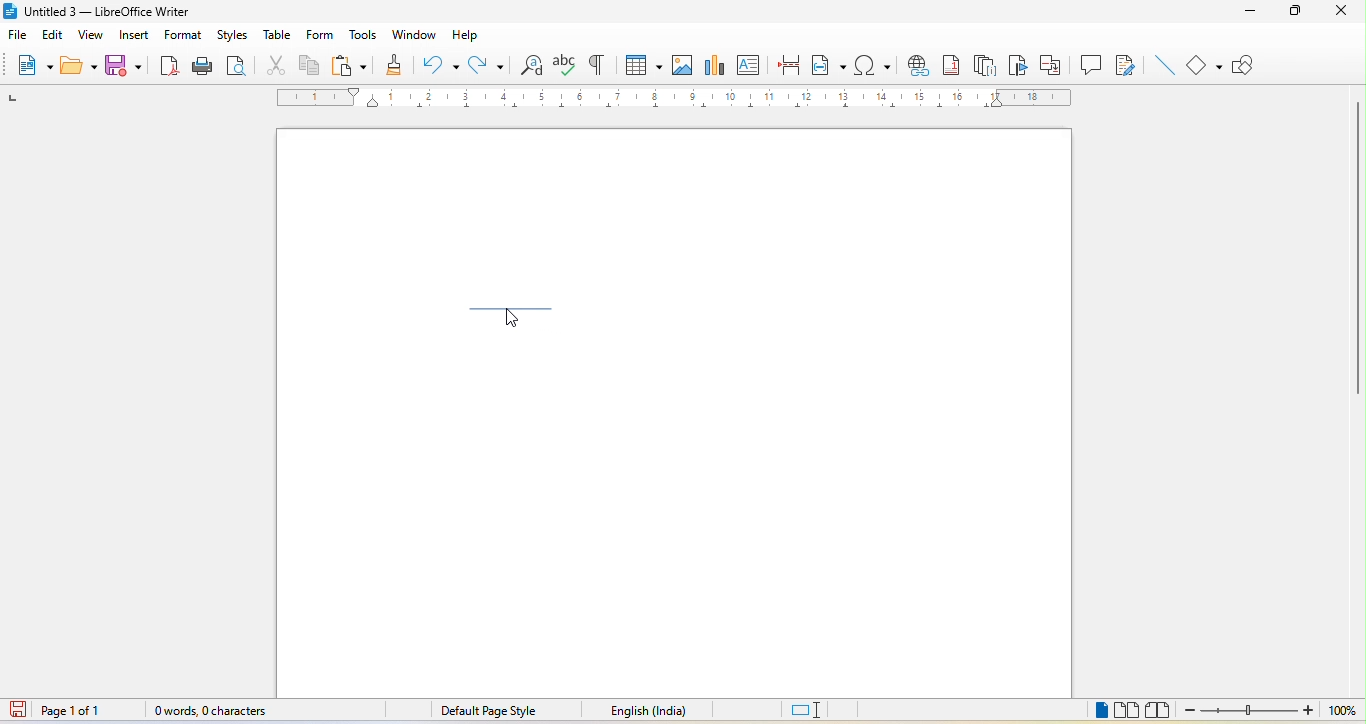 The height and width of the screenshot is (724, 1366). Describe the element at coordinates (489, 64) in the screenshot. I see `redo` at that location.